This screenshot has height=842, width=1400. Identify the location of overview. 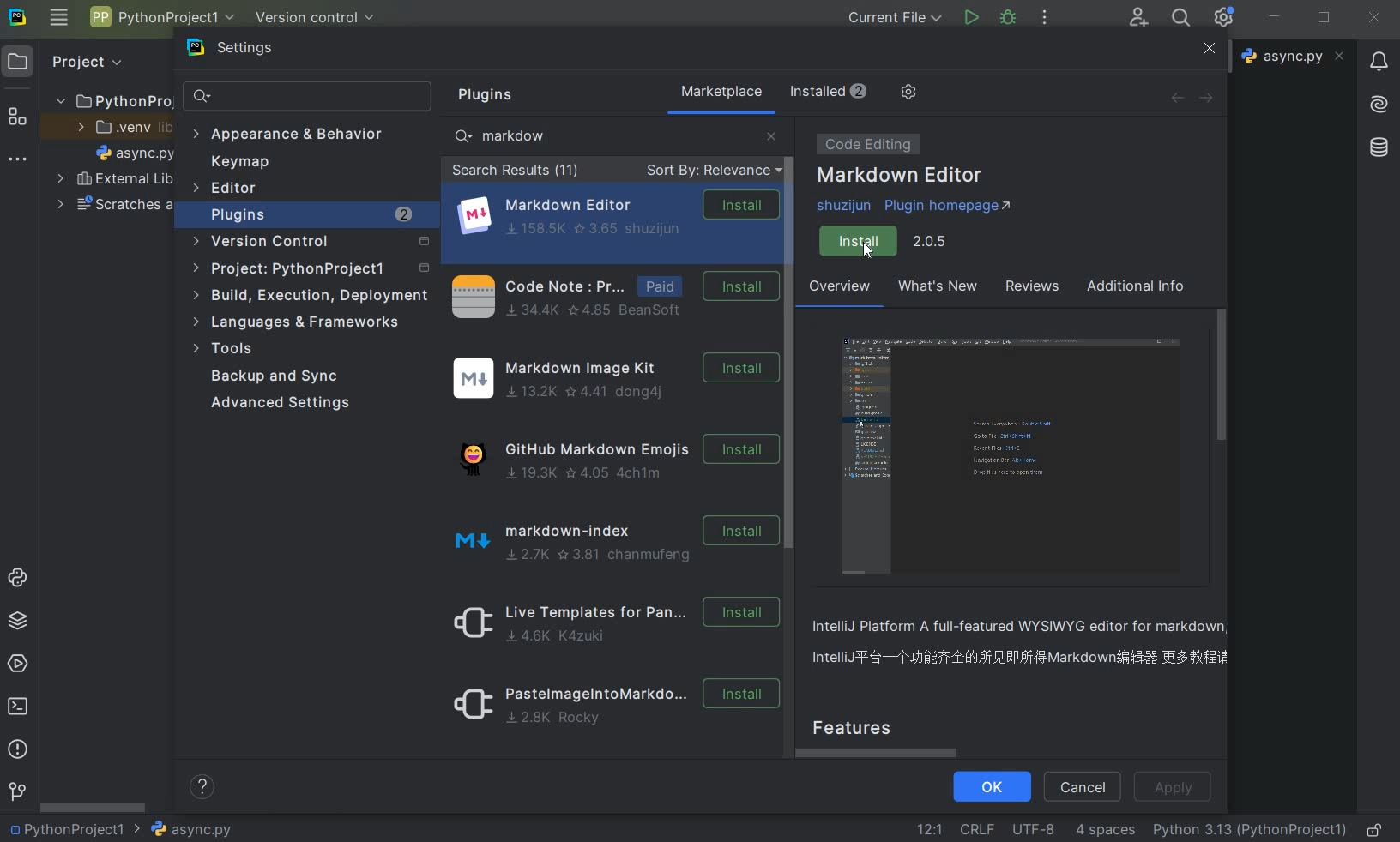
(1026, 645).